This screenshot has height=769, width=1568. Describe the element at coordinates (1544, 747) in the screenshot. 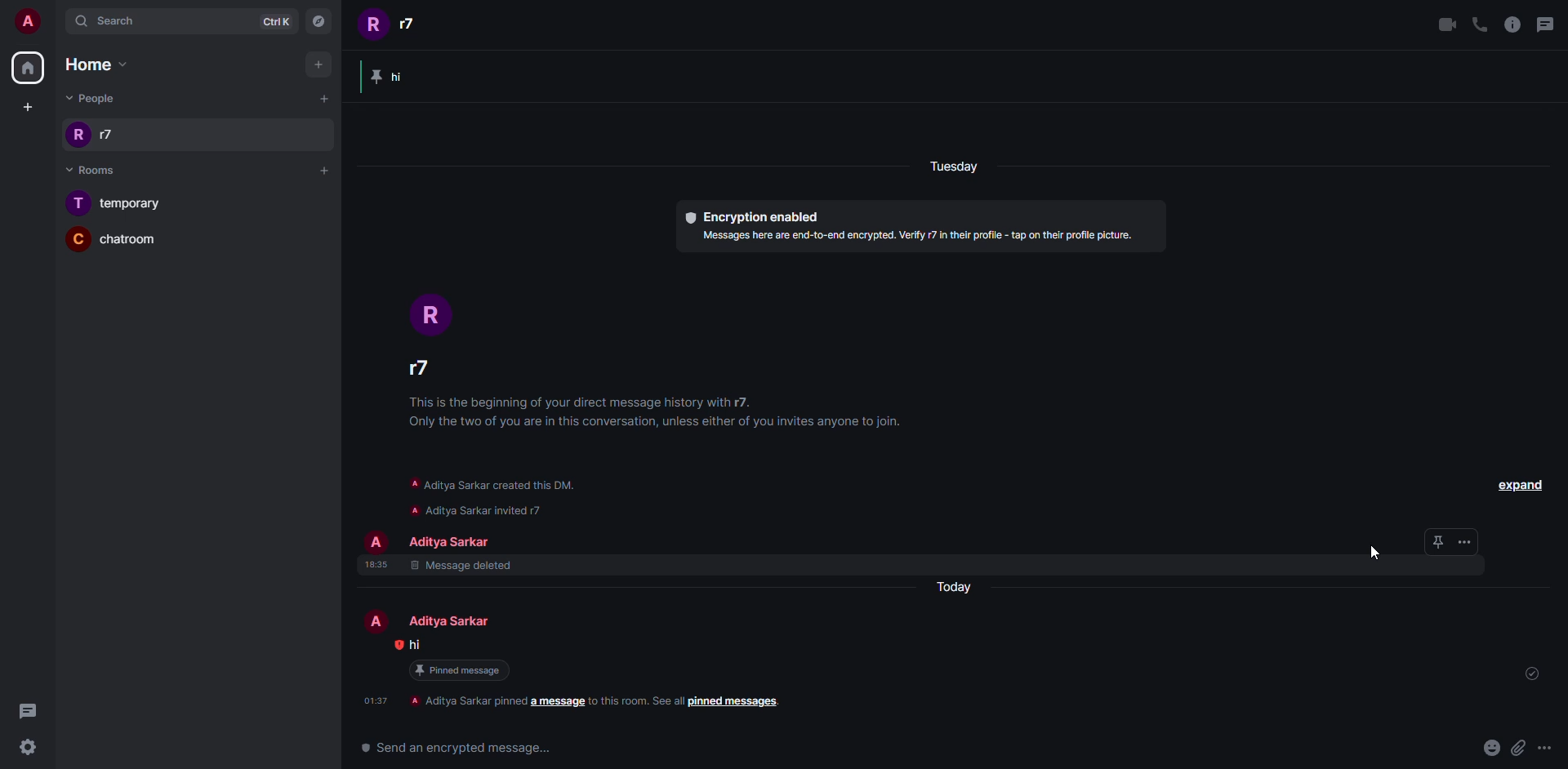

I see `` at that location.